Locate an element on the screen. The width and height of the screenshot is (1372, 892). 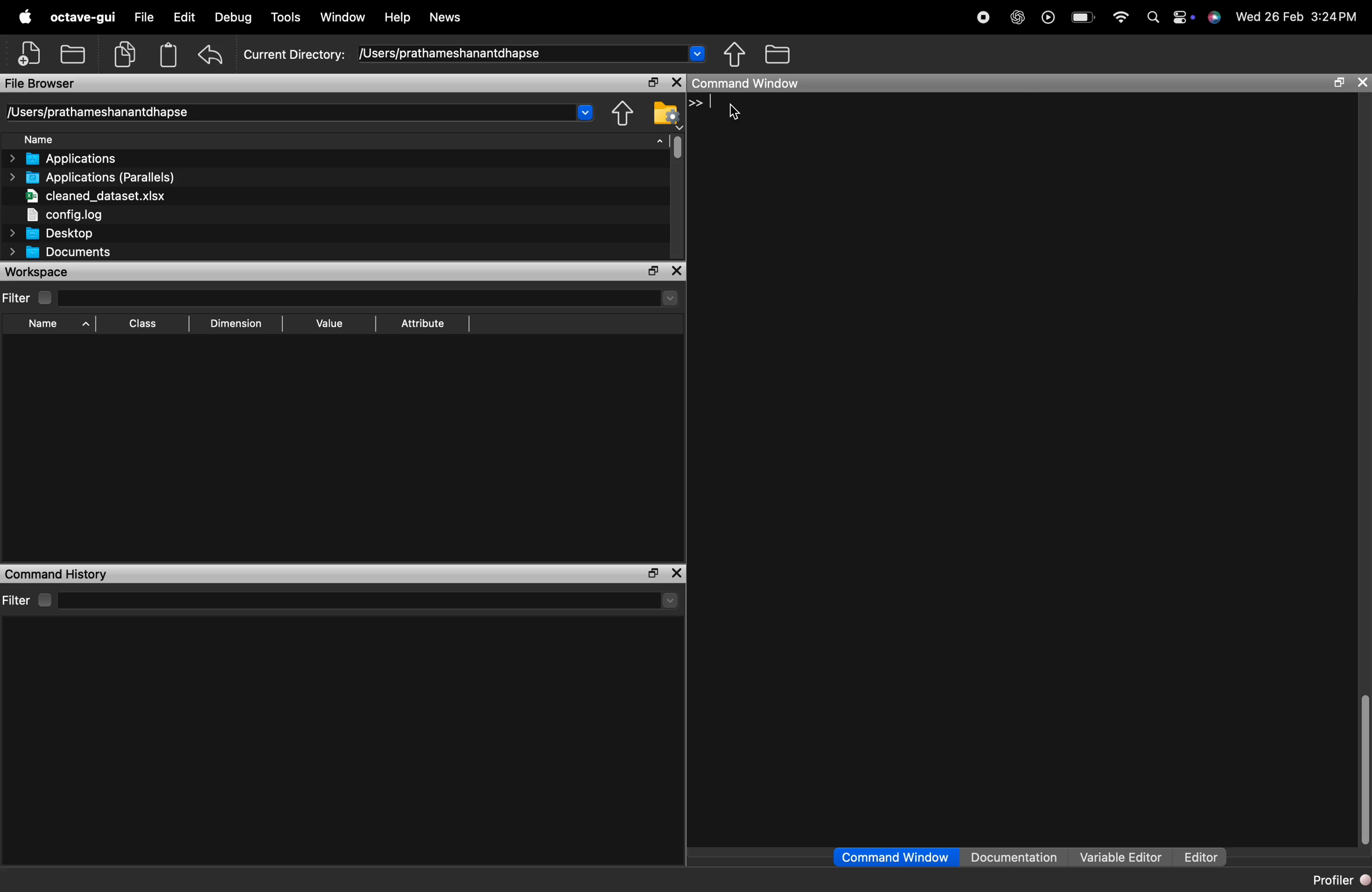
Desktop is located at coordinates (52, 233).